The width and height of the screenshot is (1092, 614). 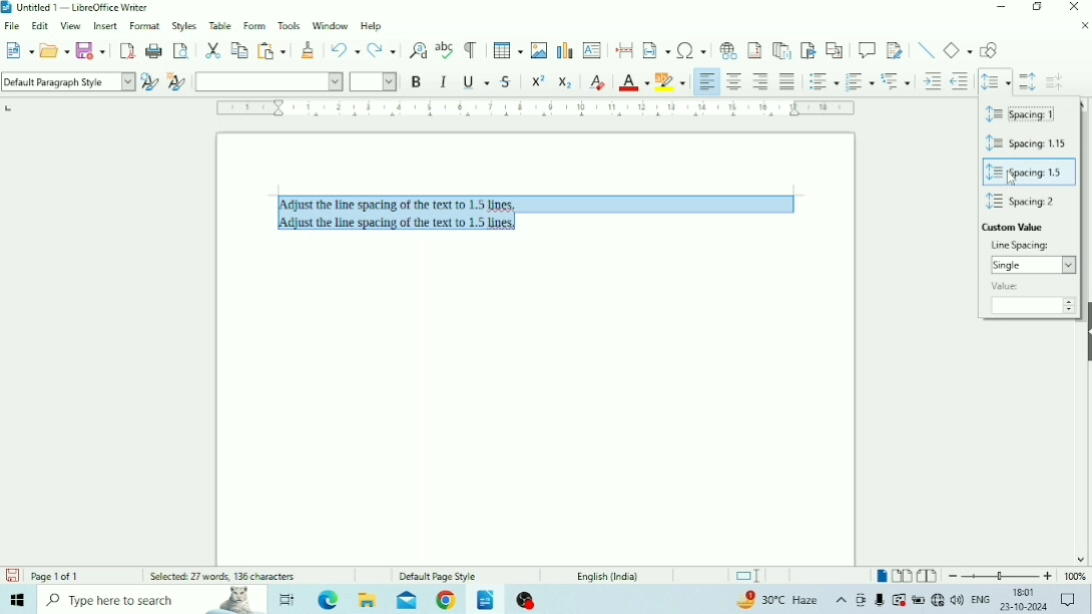 What do you see at coordinates (787, 82) in the screenshot?
I see `Justified` at bounding box center [787, 82].